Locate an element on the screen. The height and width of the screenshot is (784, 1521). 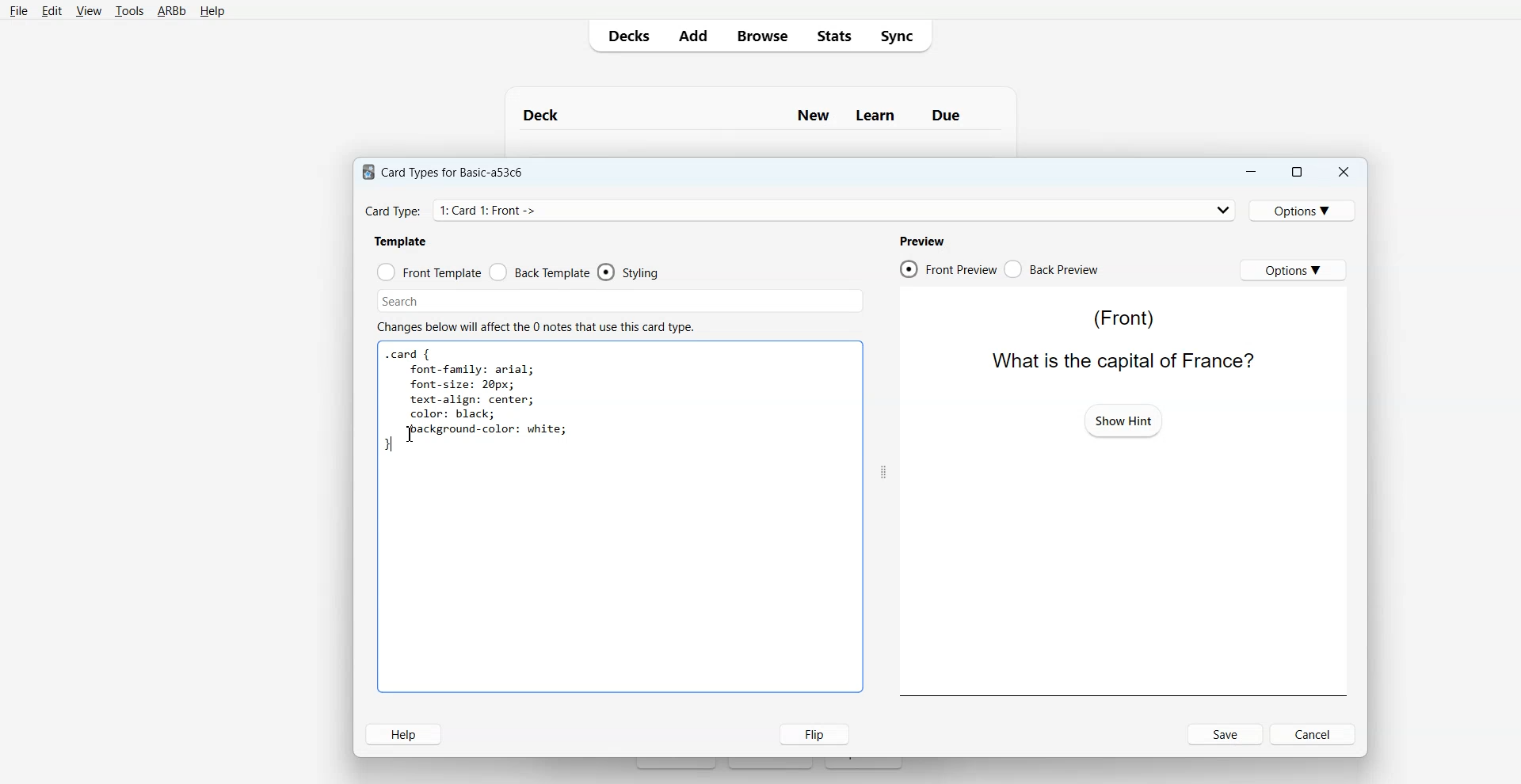
Changes below will affect the 0 notes that use this card type is located at coordinates (542, 327).